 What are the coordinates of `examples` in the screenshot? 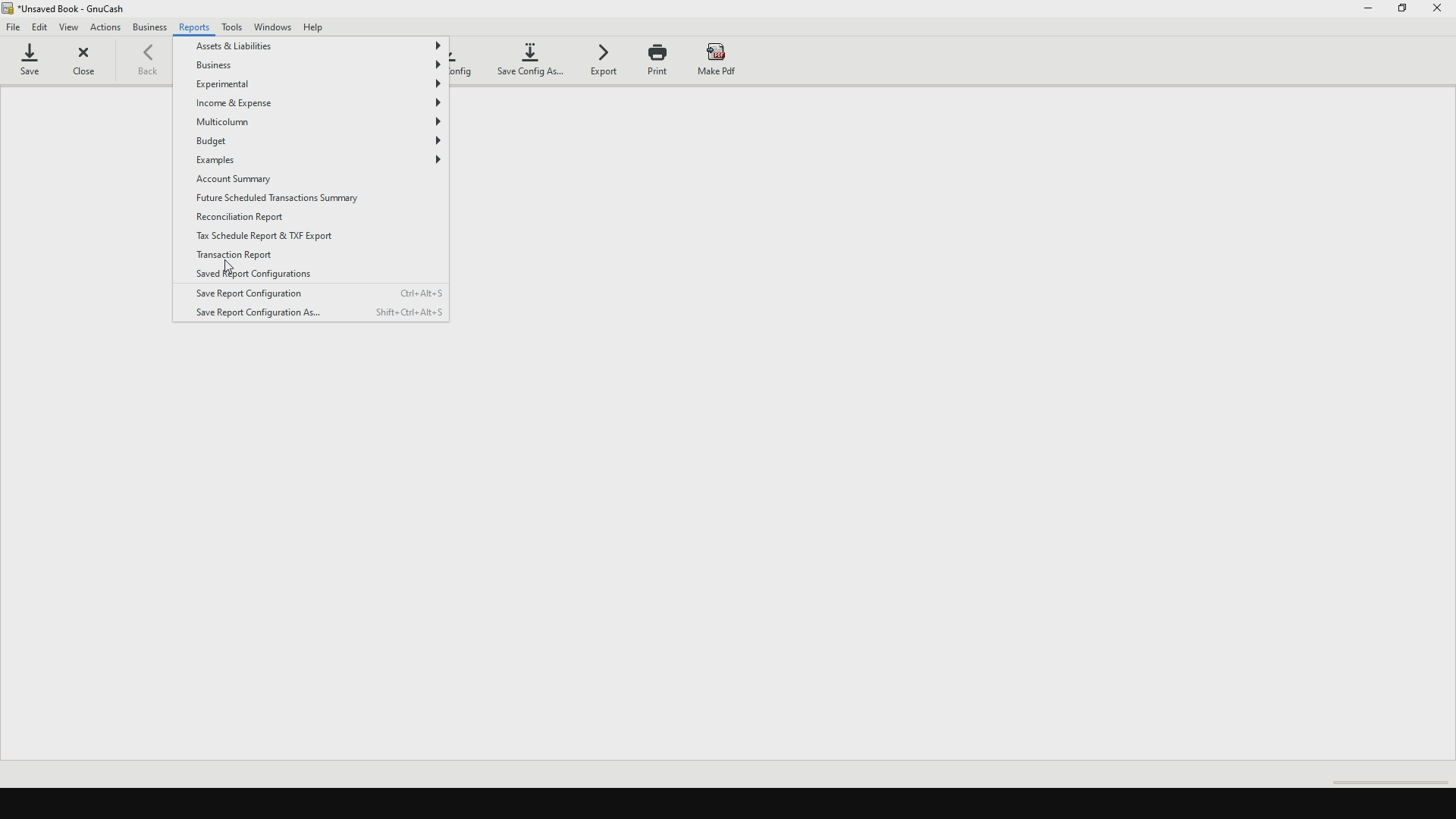 It's located at (318, 162).